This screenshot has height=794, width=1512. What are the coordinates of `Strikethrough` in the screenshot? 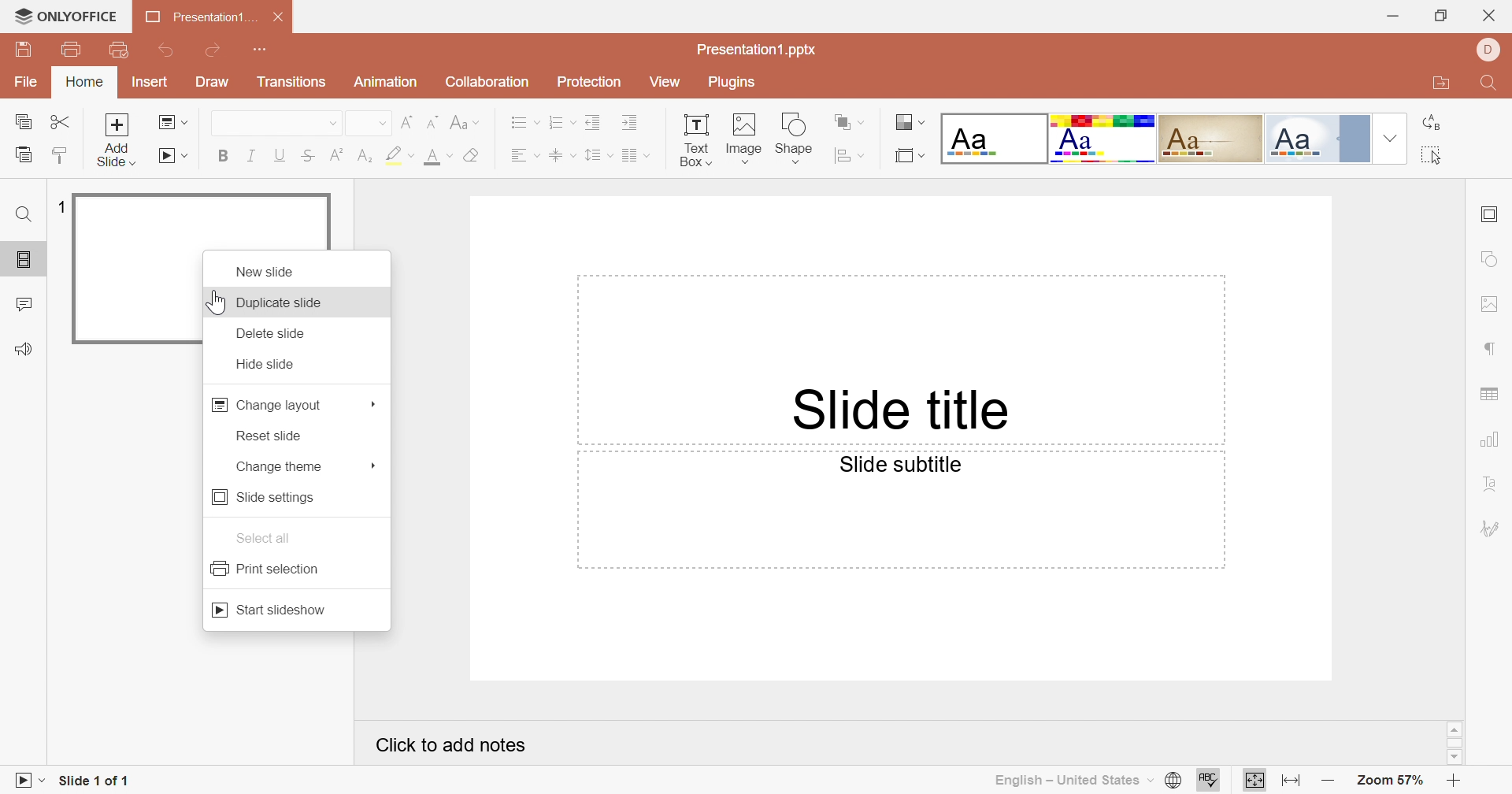 It's located at (306, 154).